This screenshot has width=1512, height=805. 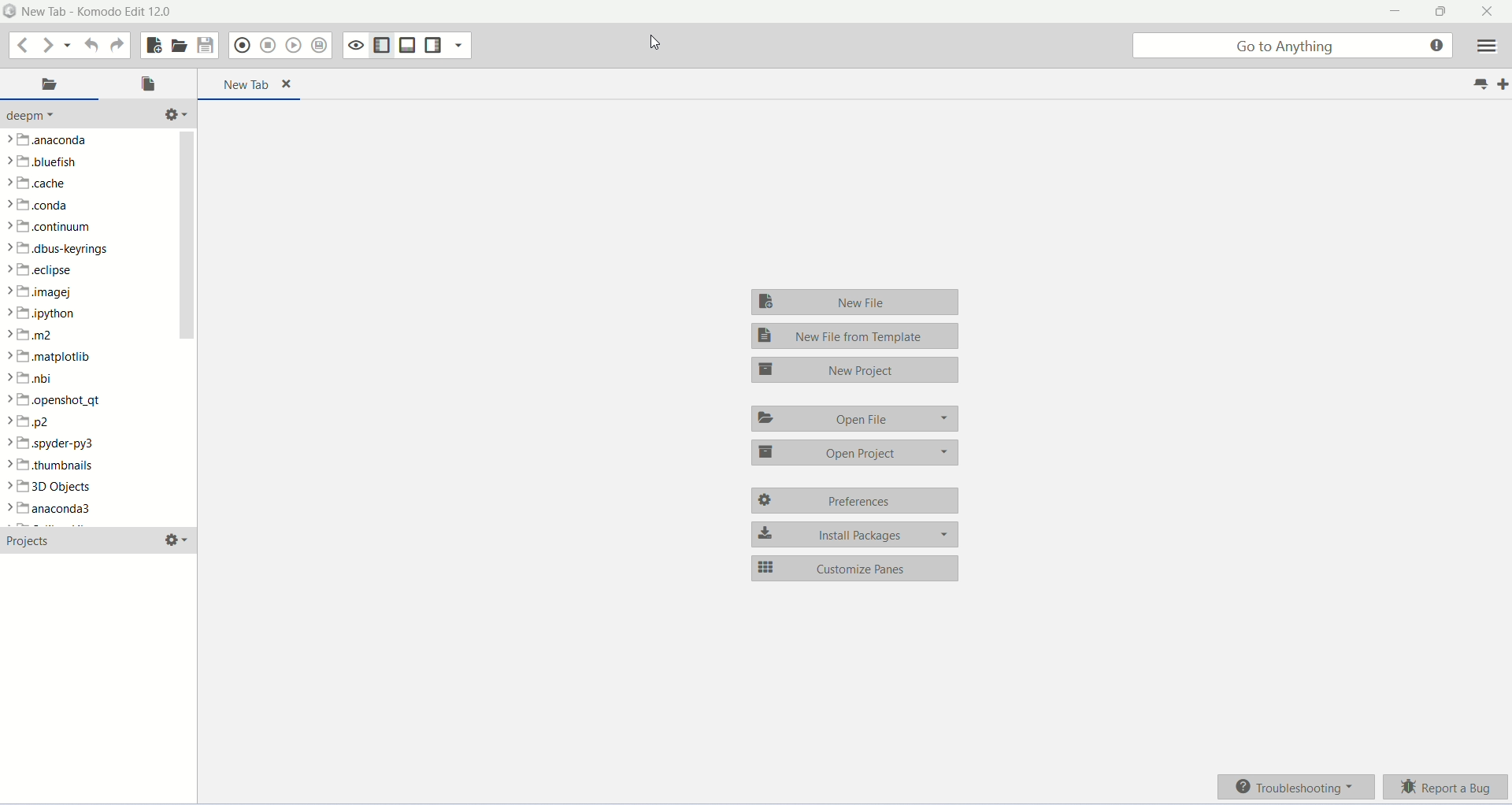 I want to click on customize panes, so click(x=856, y=568).